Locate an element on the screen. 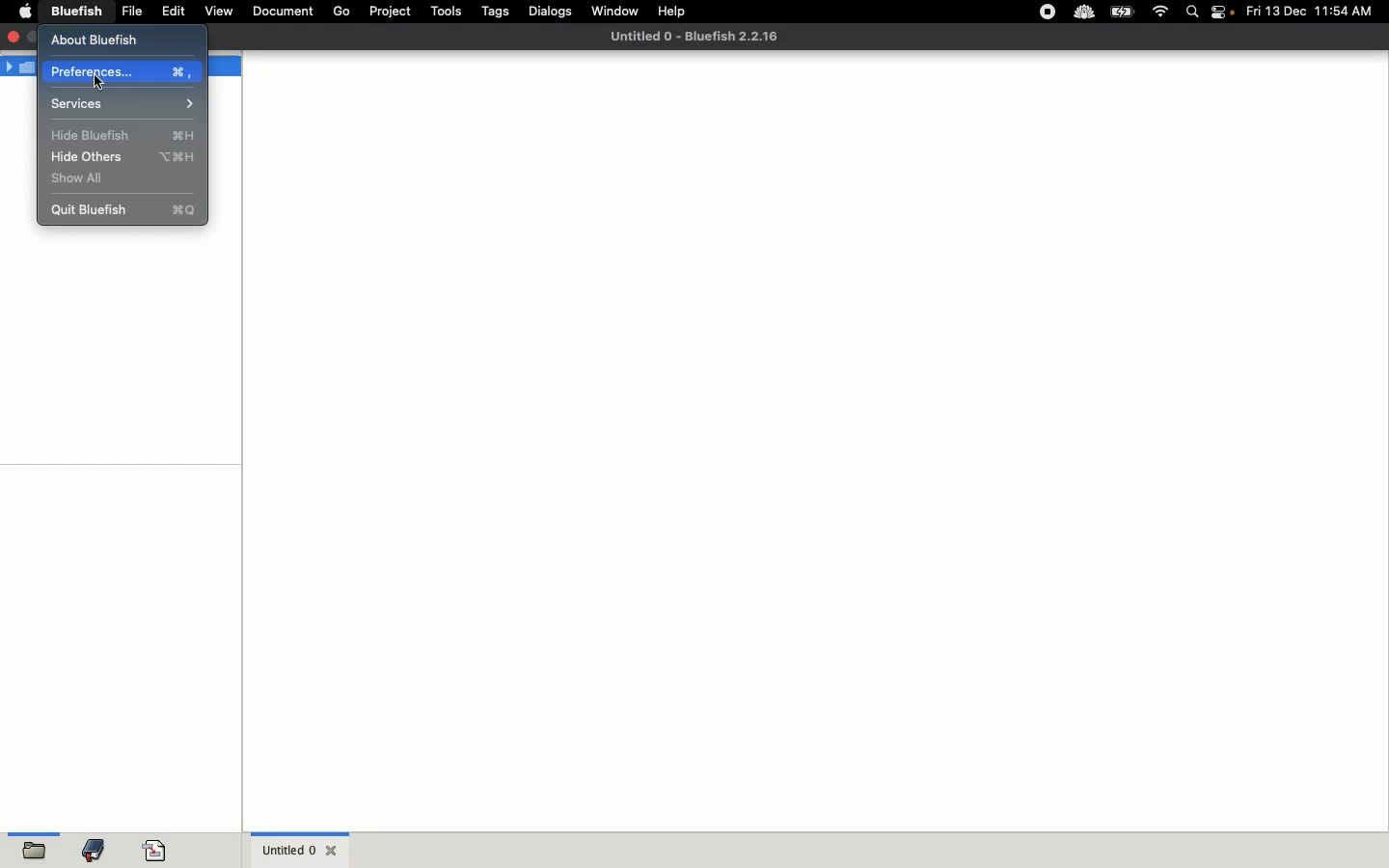  Tags is located at coordinates (497, 11).